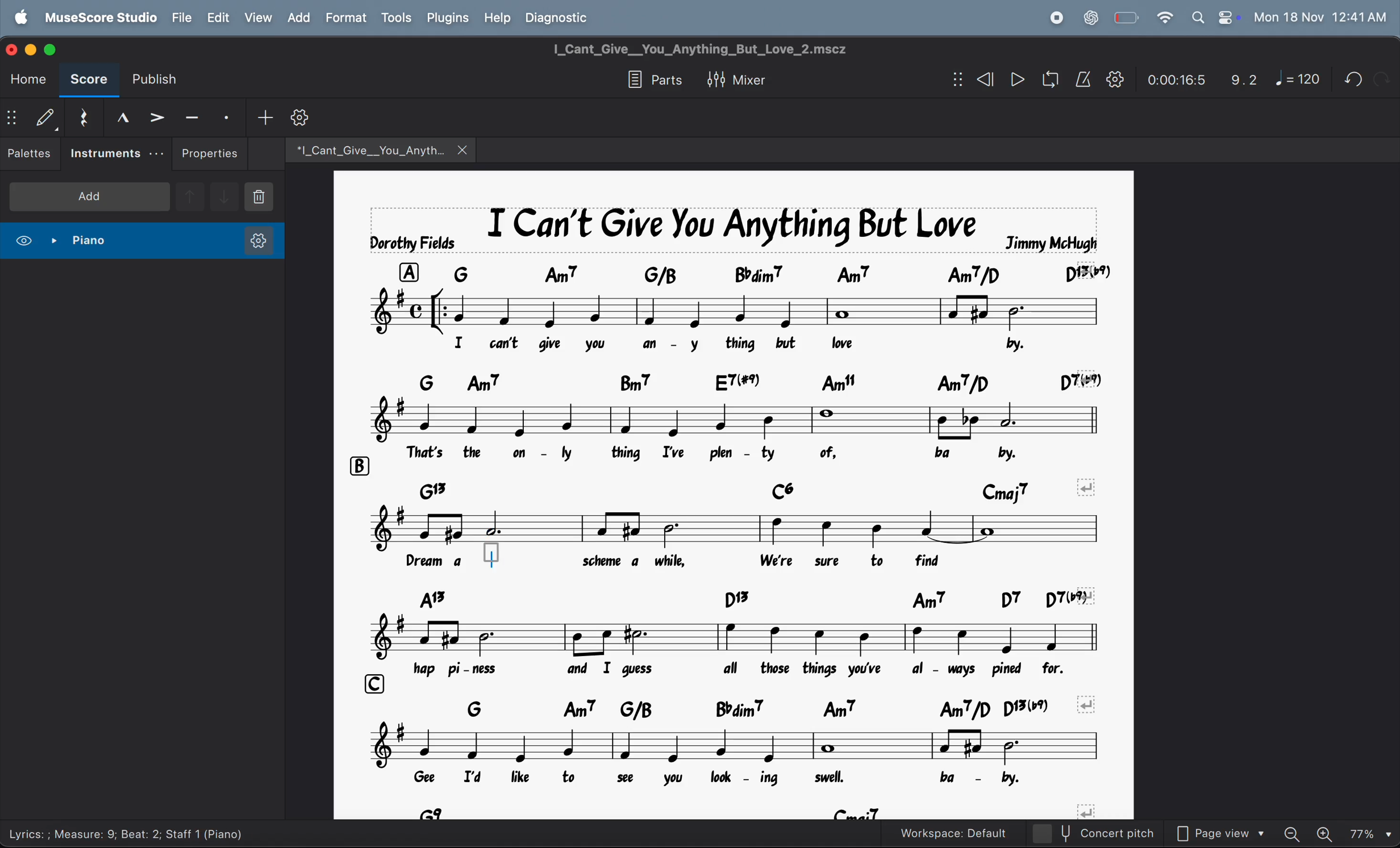 The width and height of the screenshot is (1400, 848). I want to click on go upward, so click(190, 195).